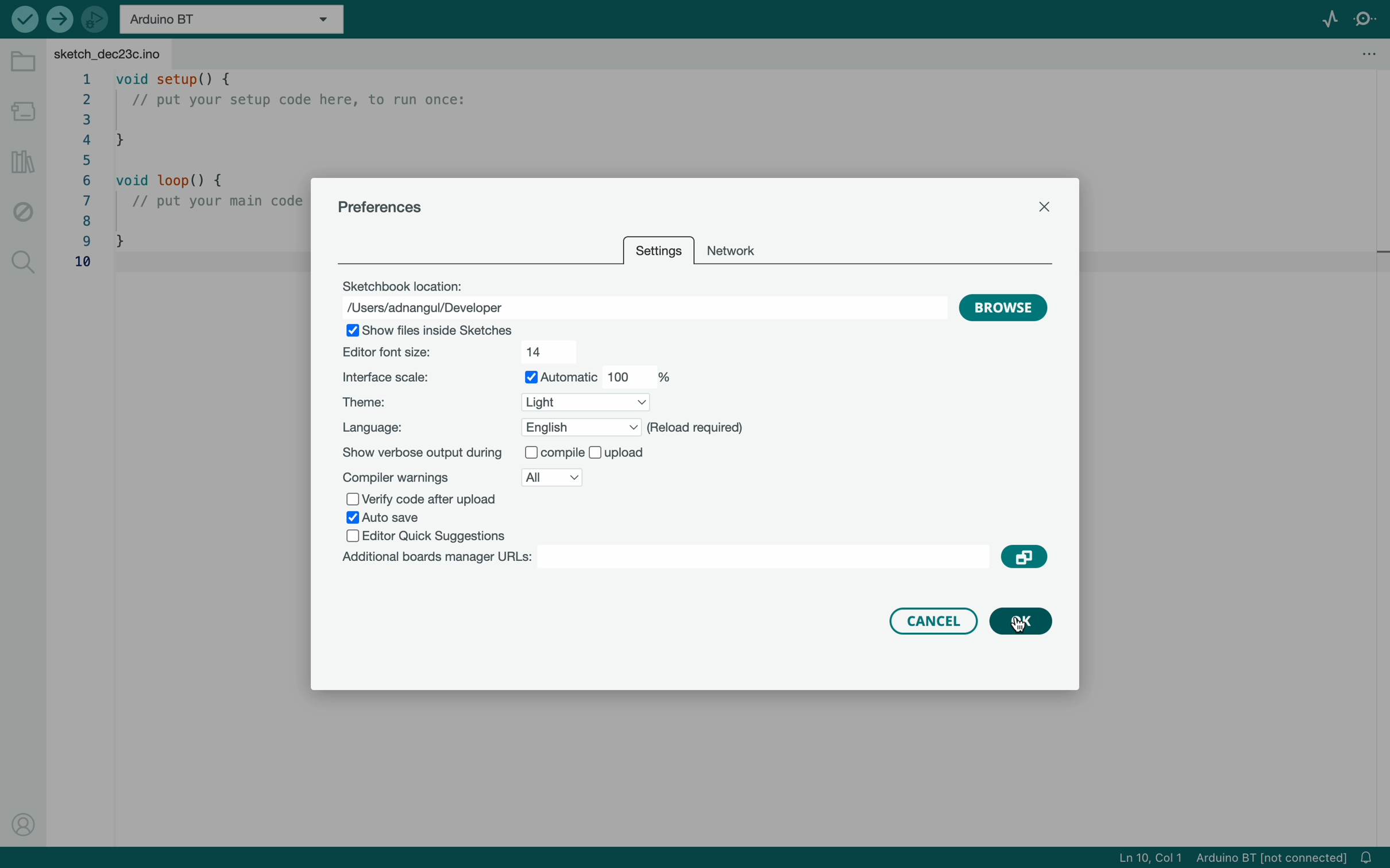 The width and height of the screenshot is (1390, 868). I want to click on editor, so click(437, 536).